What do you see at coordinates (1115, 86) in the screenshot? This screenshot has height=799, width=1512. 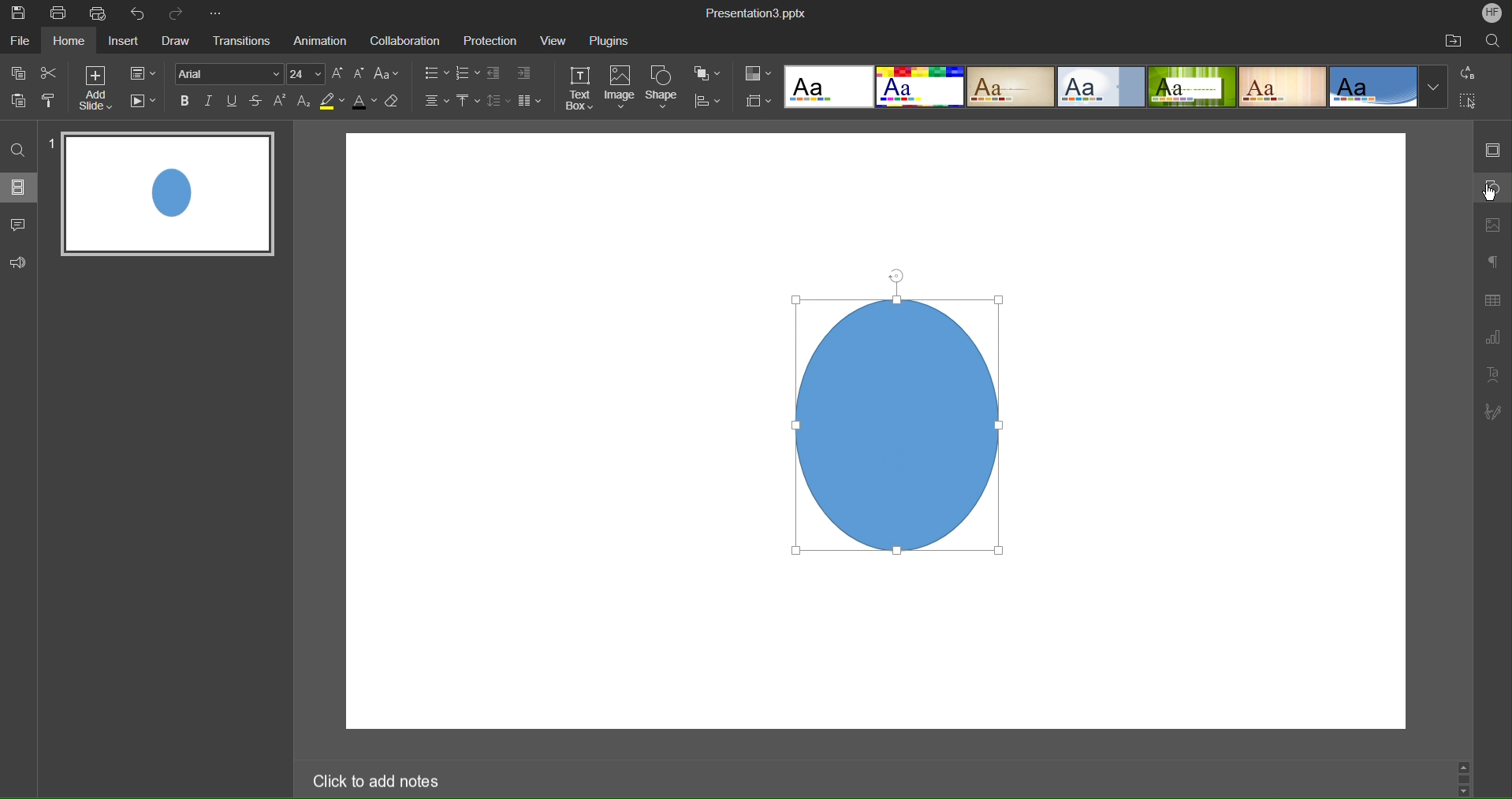 I see `Templates` at bounding box center [1115, 86].